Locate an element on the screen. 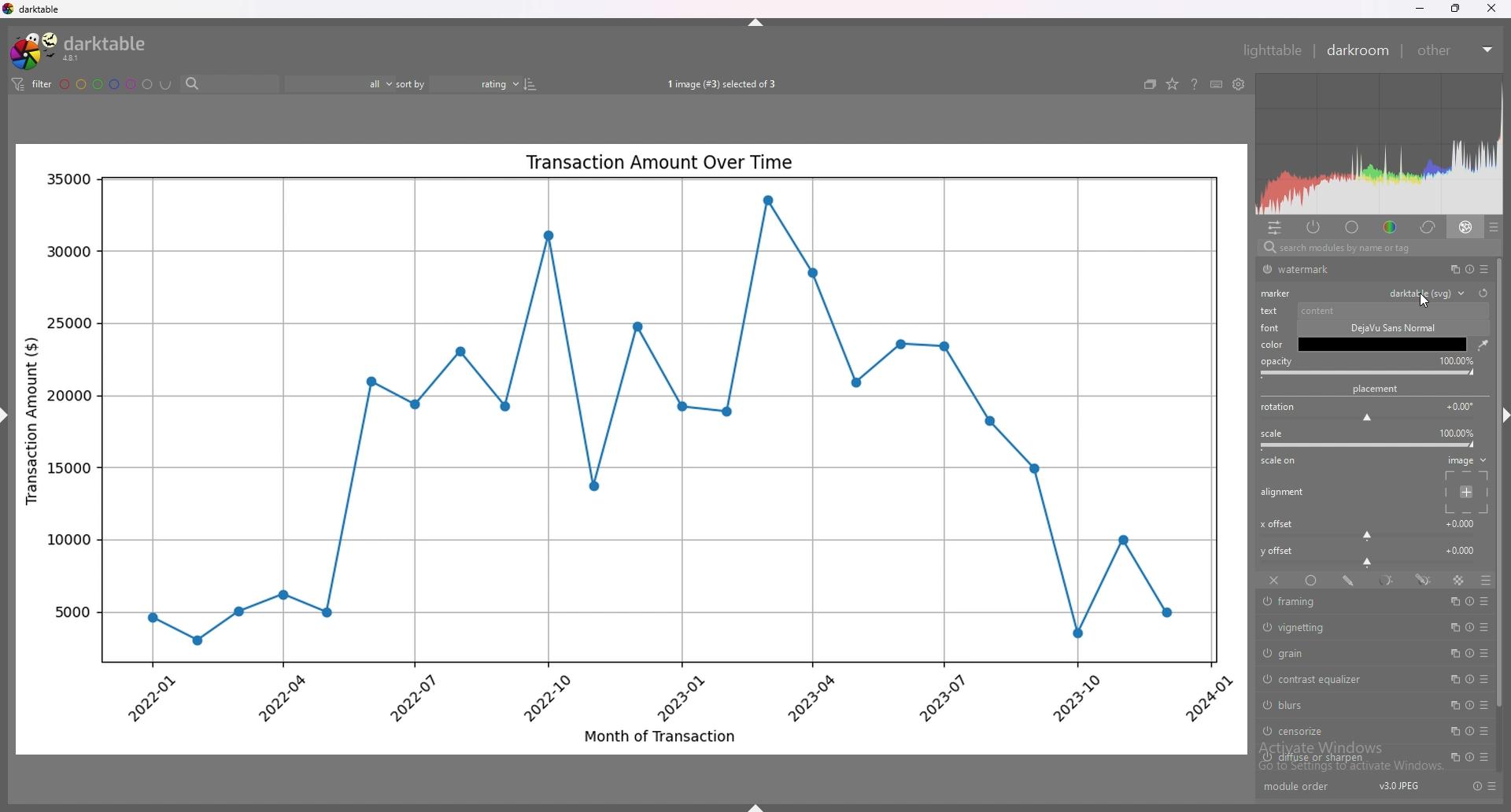  image is located at coordinates (1467, 460).